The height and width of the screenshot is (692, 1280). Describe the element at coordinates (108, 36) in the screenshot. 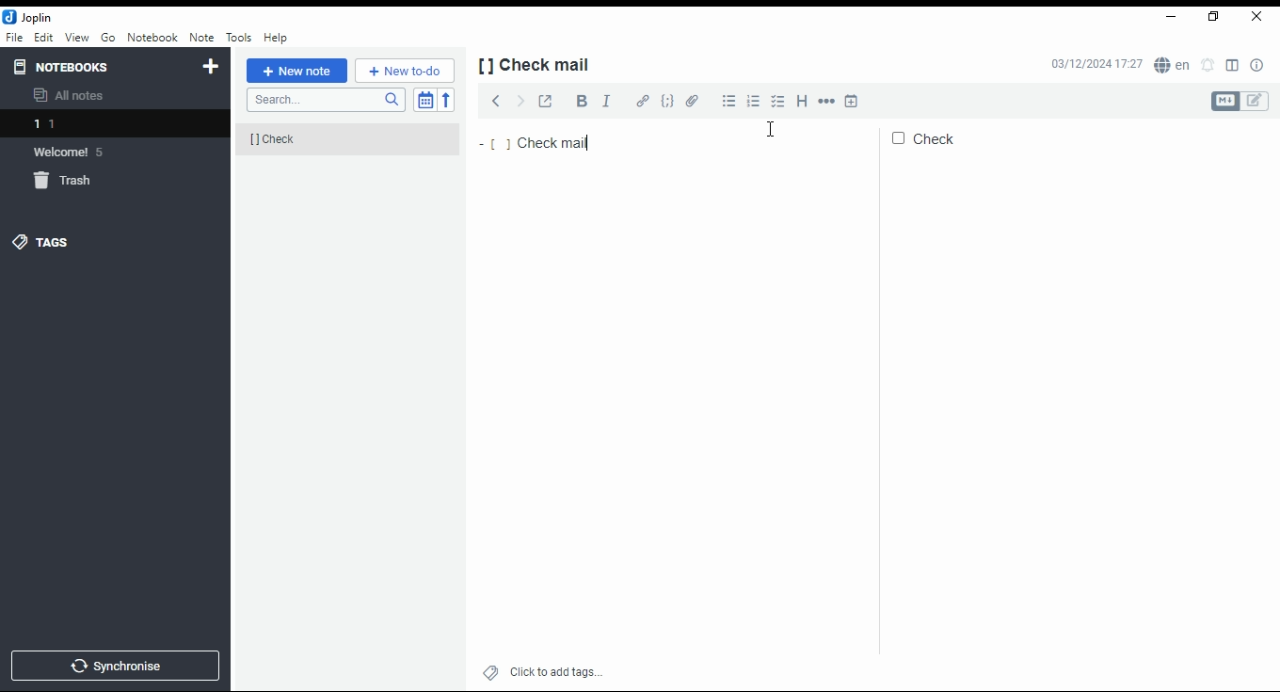

I see `Go` at that location.